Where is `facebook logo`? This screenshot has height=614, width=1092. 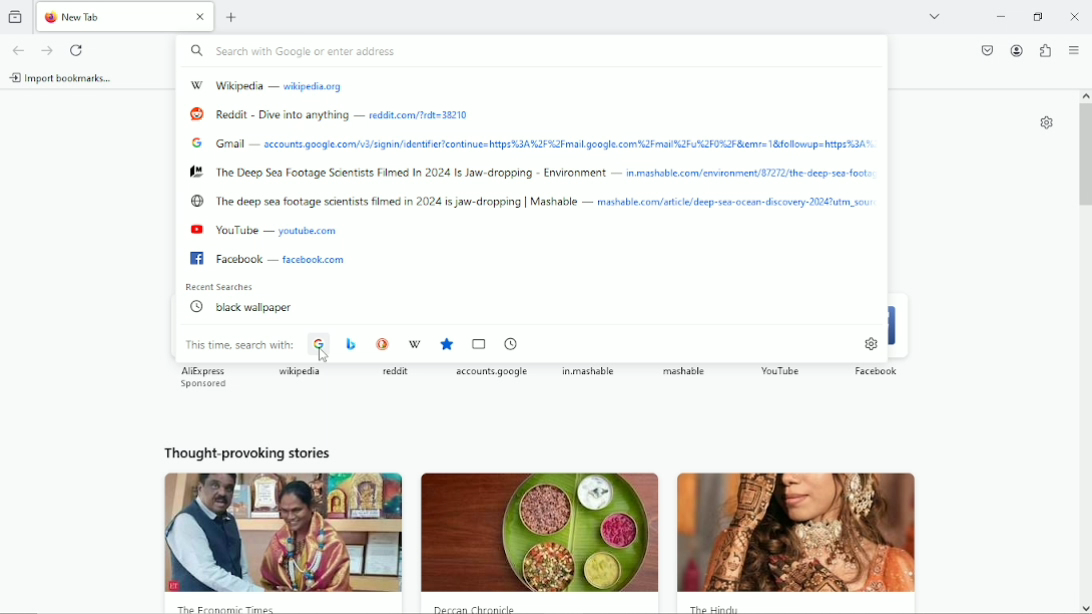
facebook logo is located at coordinates (196, 258).